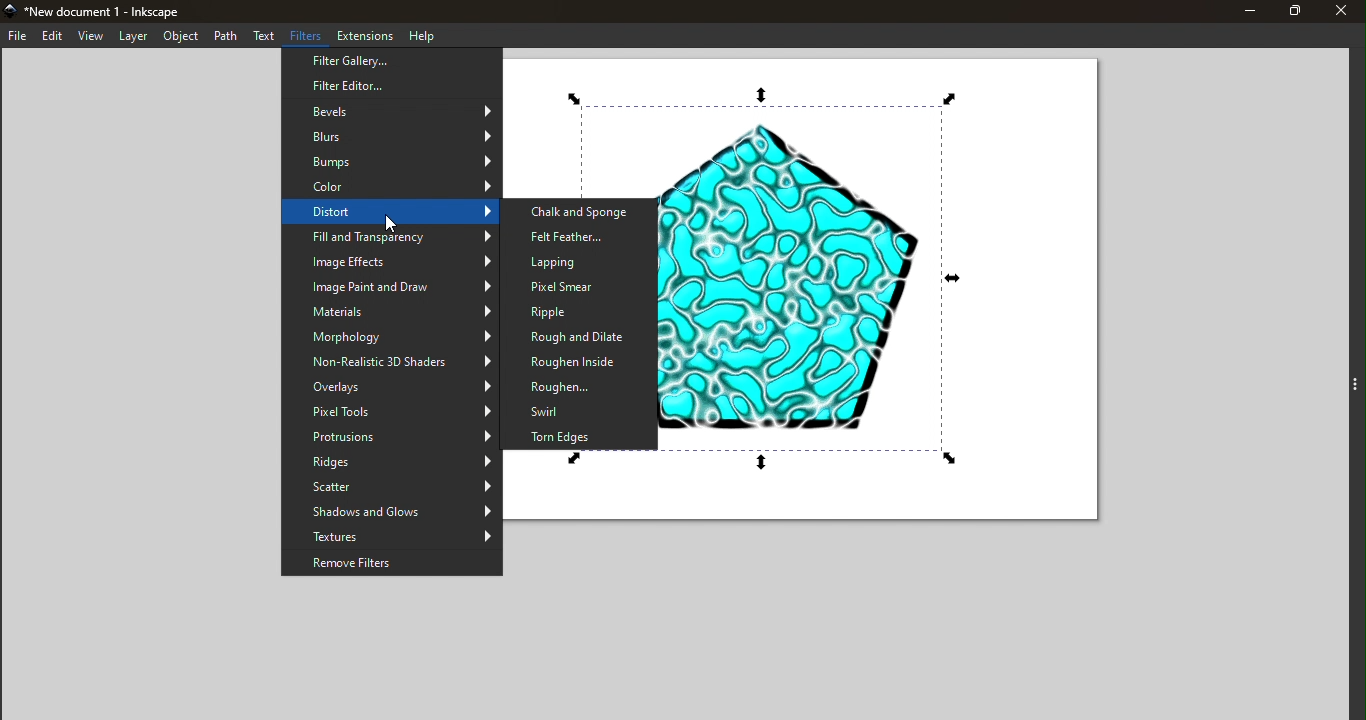  I want to click on Morphology, so click(391, 337).